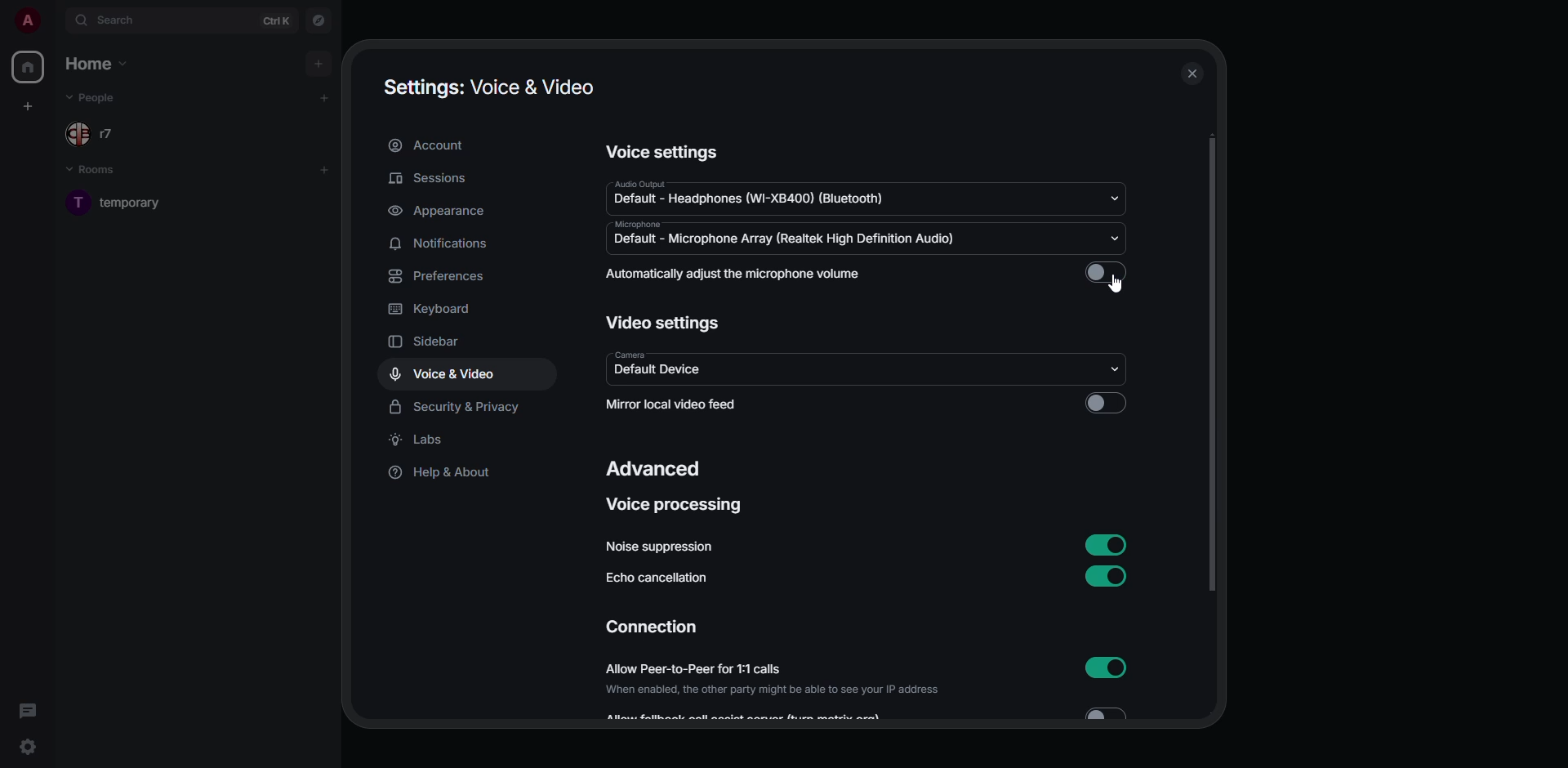  Describe the element at coordinates (56, 20) in the screenshot. I see `expand` at that location.